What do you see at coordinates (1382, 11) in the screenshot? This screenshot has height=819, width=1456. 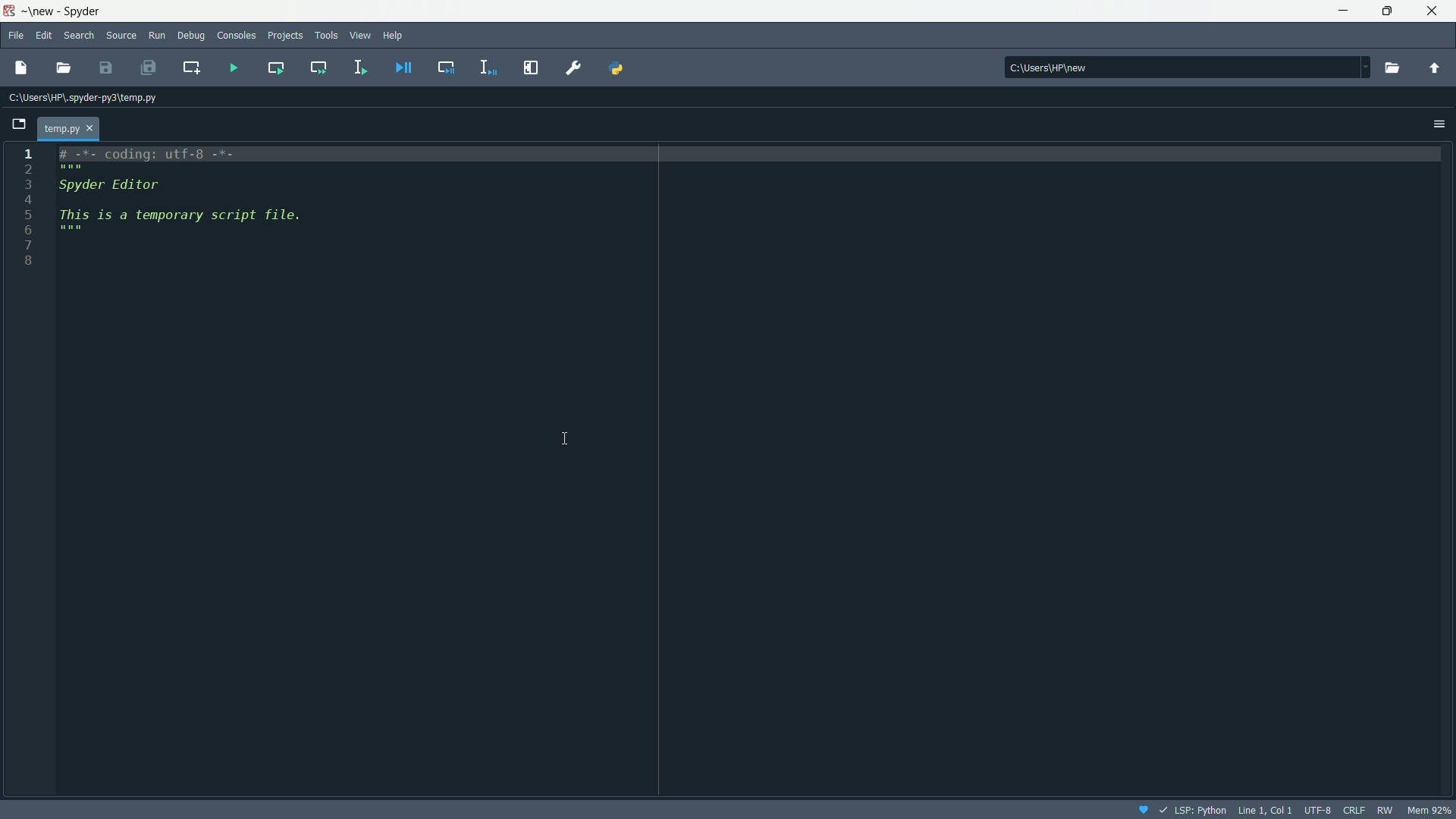 I see `maximize` at bounding box center [1382, 11].